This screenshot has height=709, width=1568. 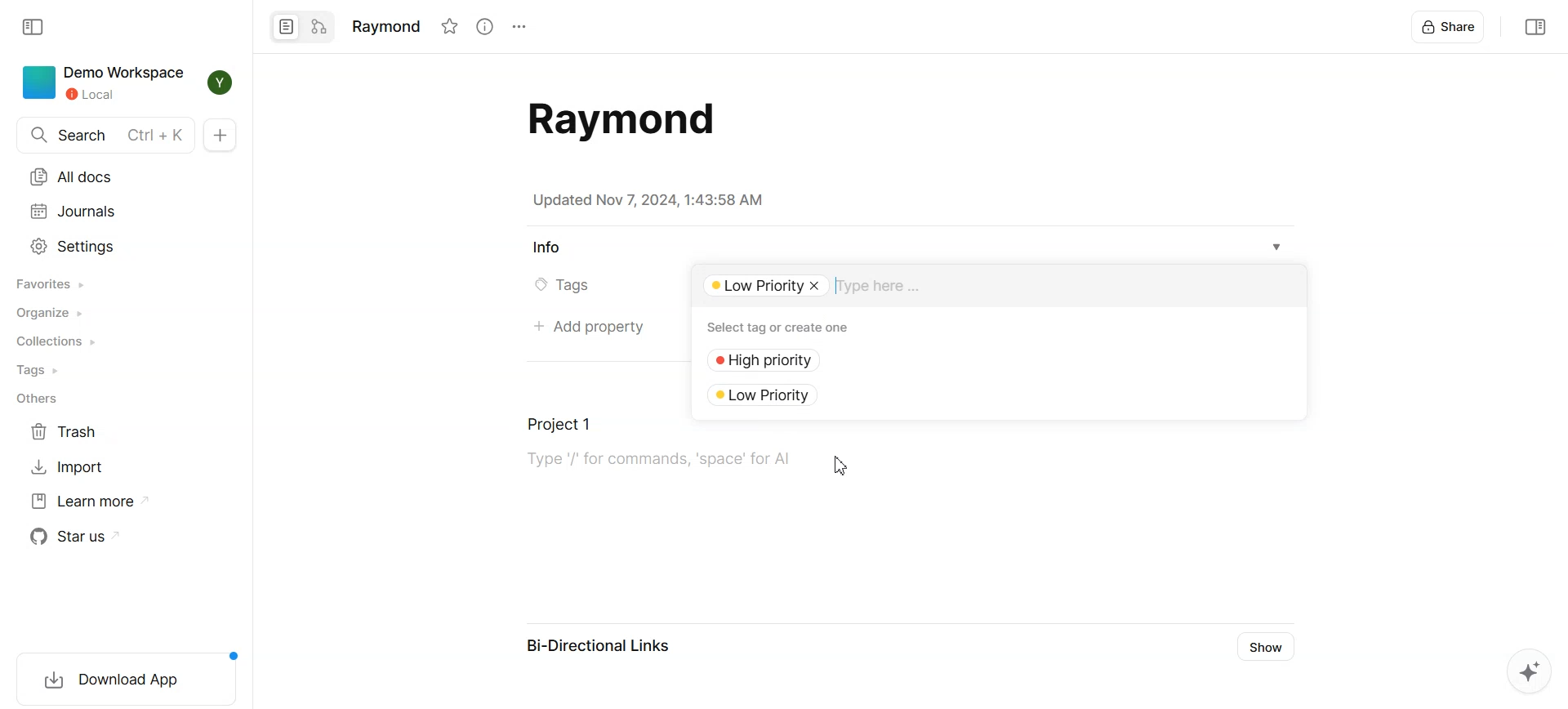 What do you see at coordinates (79, 536) in the screenshot?
I see `Star us` at bounding box center [79, 536].